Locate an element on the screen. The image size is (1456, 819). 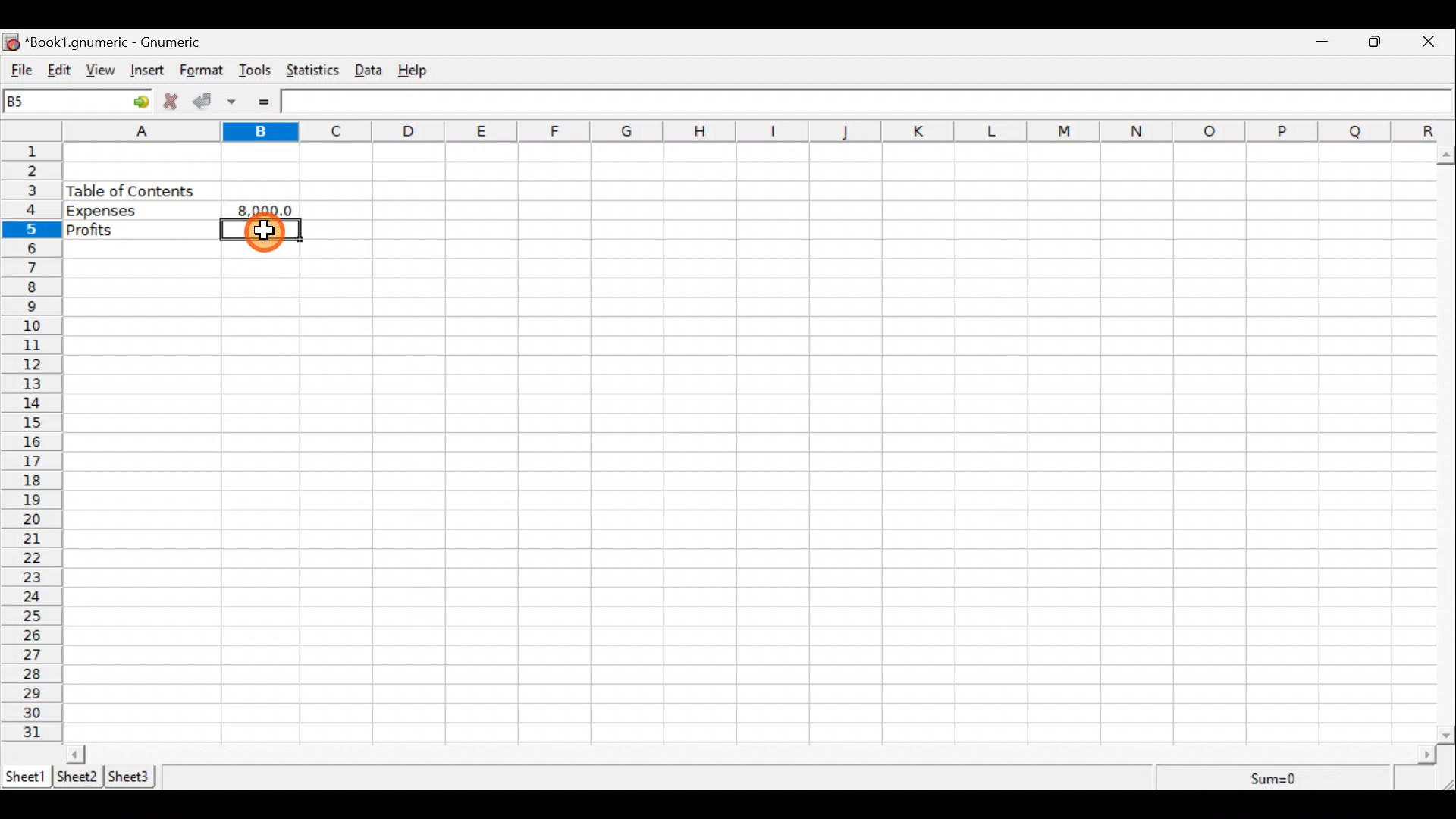
scroll up is located at coordinates (1447, 155).